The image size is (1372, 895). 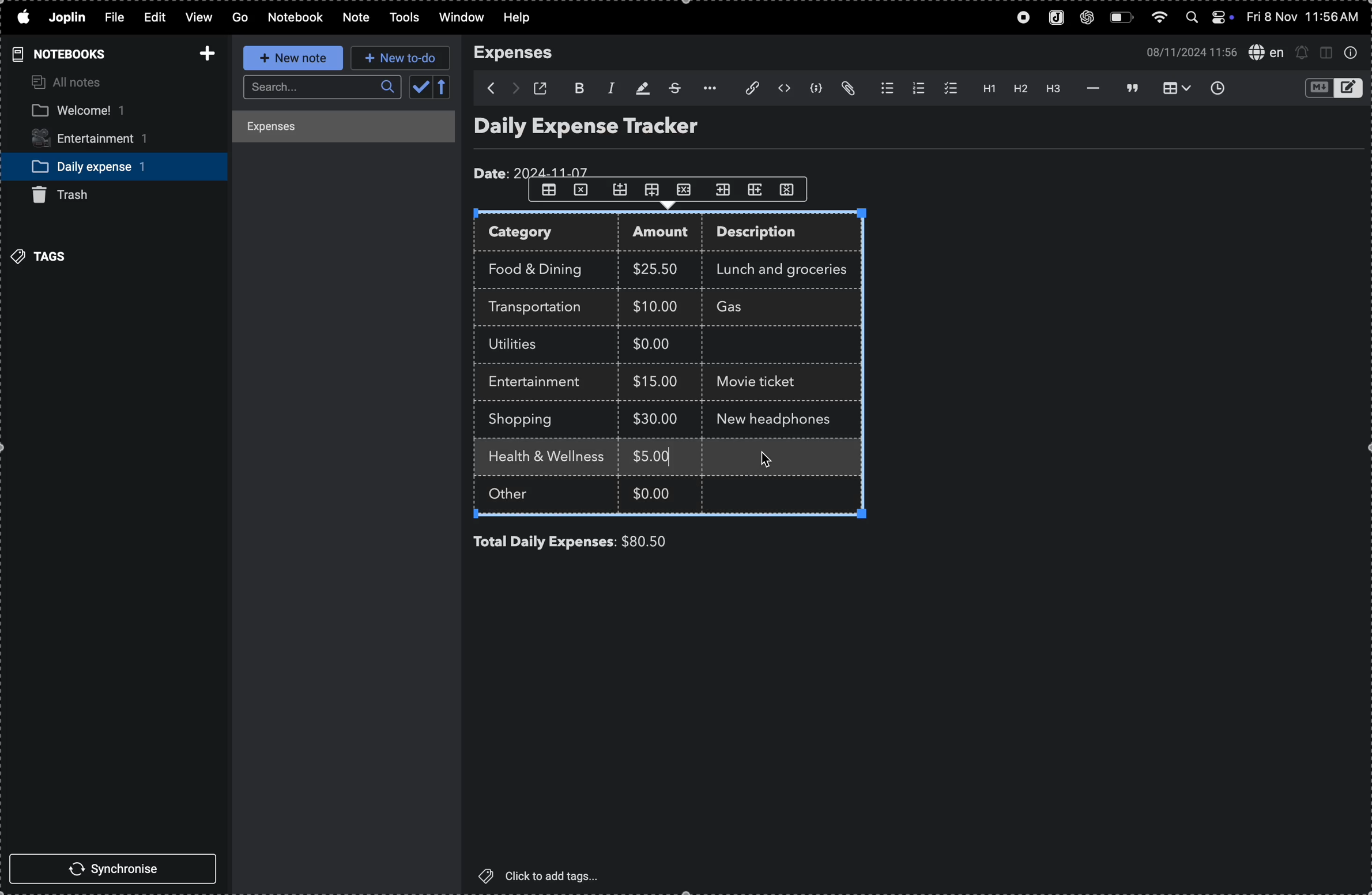 I want to click on wifi, so click(x=1158, y=20).